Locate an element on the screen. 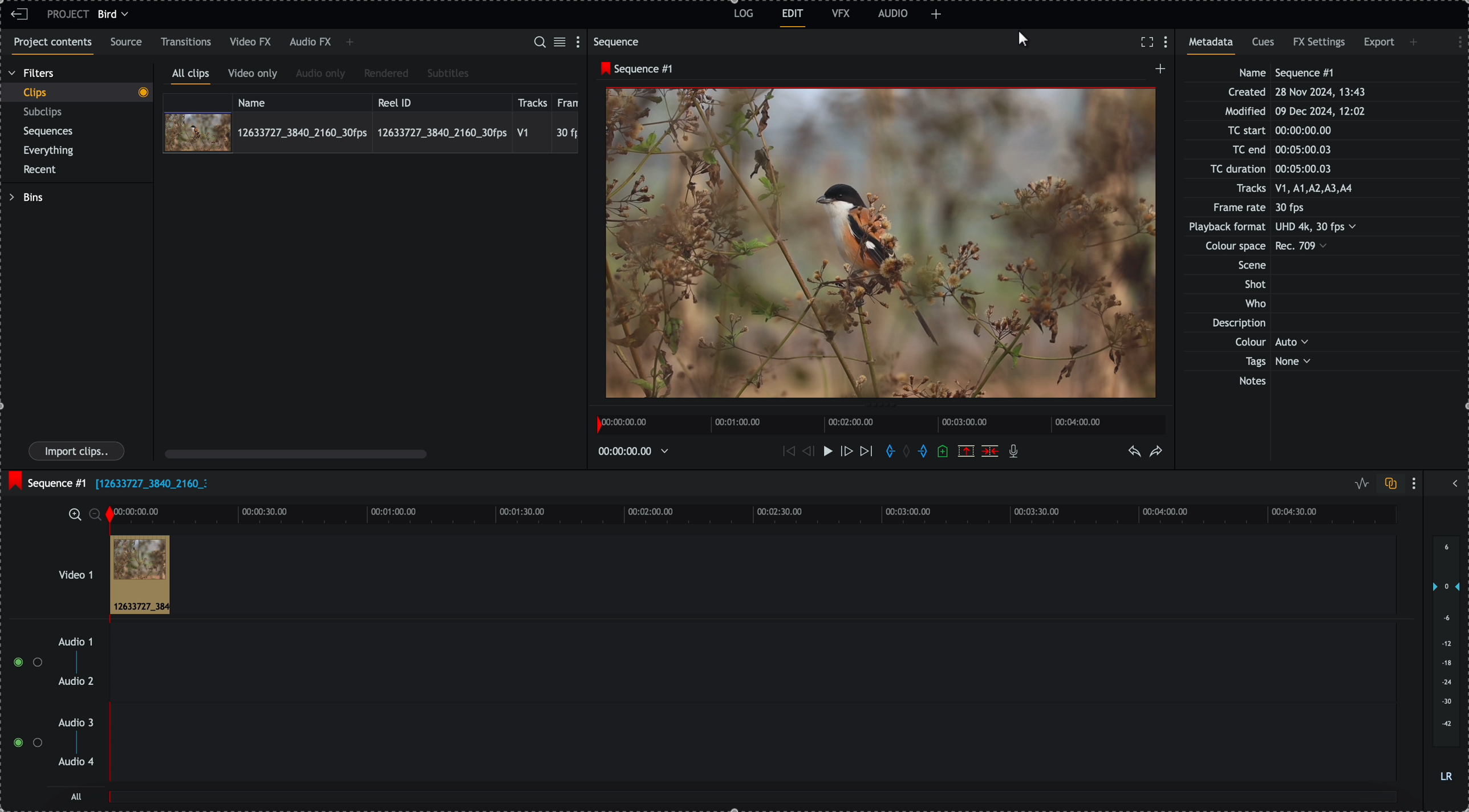 The height and width of the screenshot is (812, 1469).  is located at coordinates (47, 152).